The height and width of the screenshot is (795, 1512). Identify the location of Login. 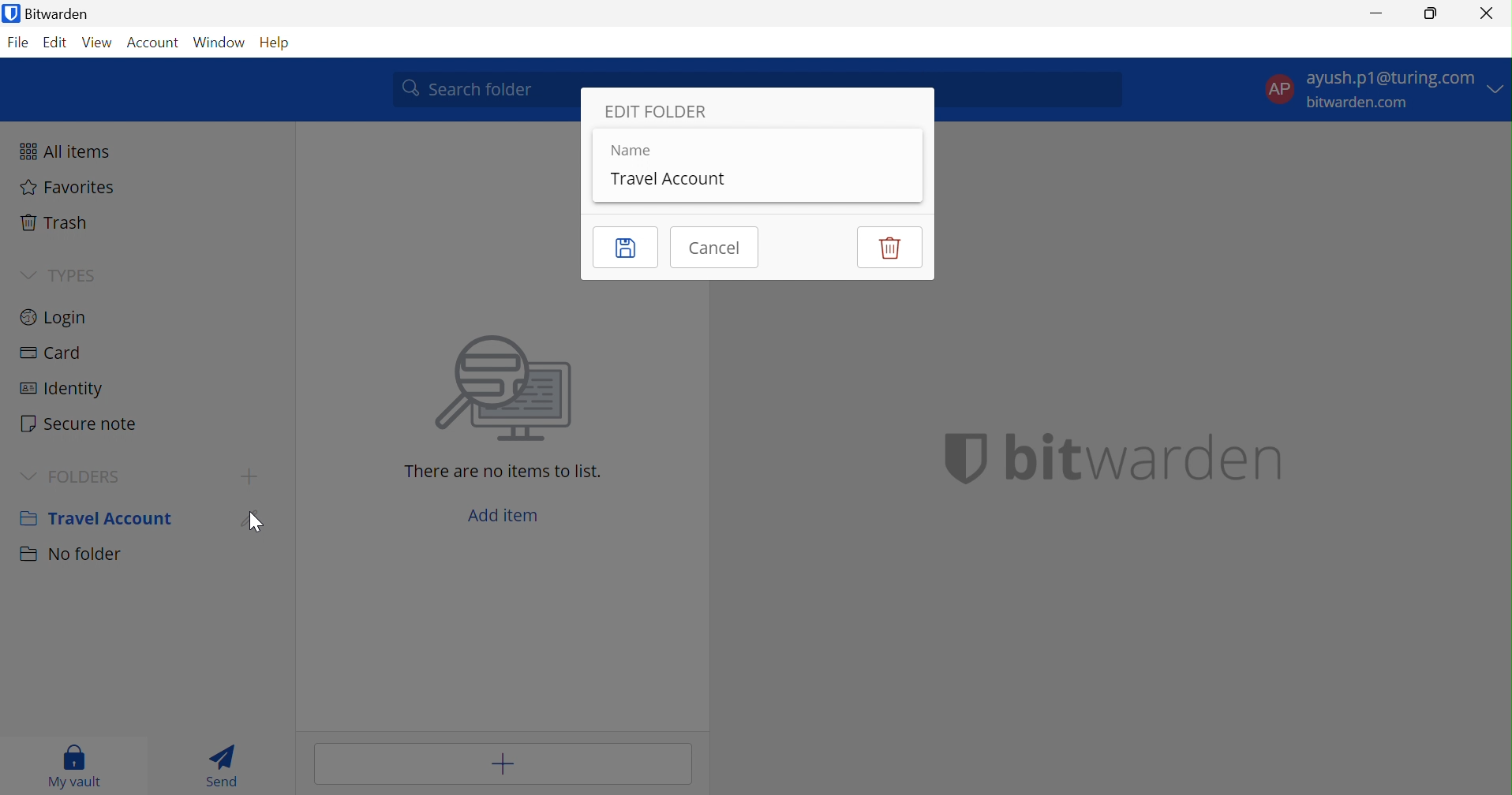
(56, 315).